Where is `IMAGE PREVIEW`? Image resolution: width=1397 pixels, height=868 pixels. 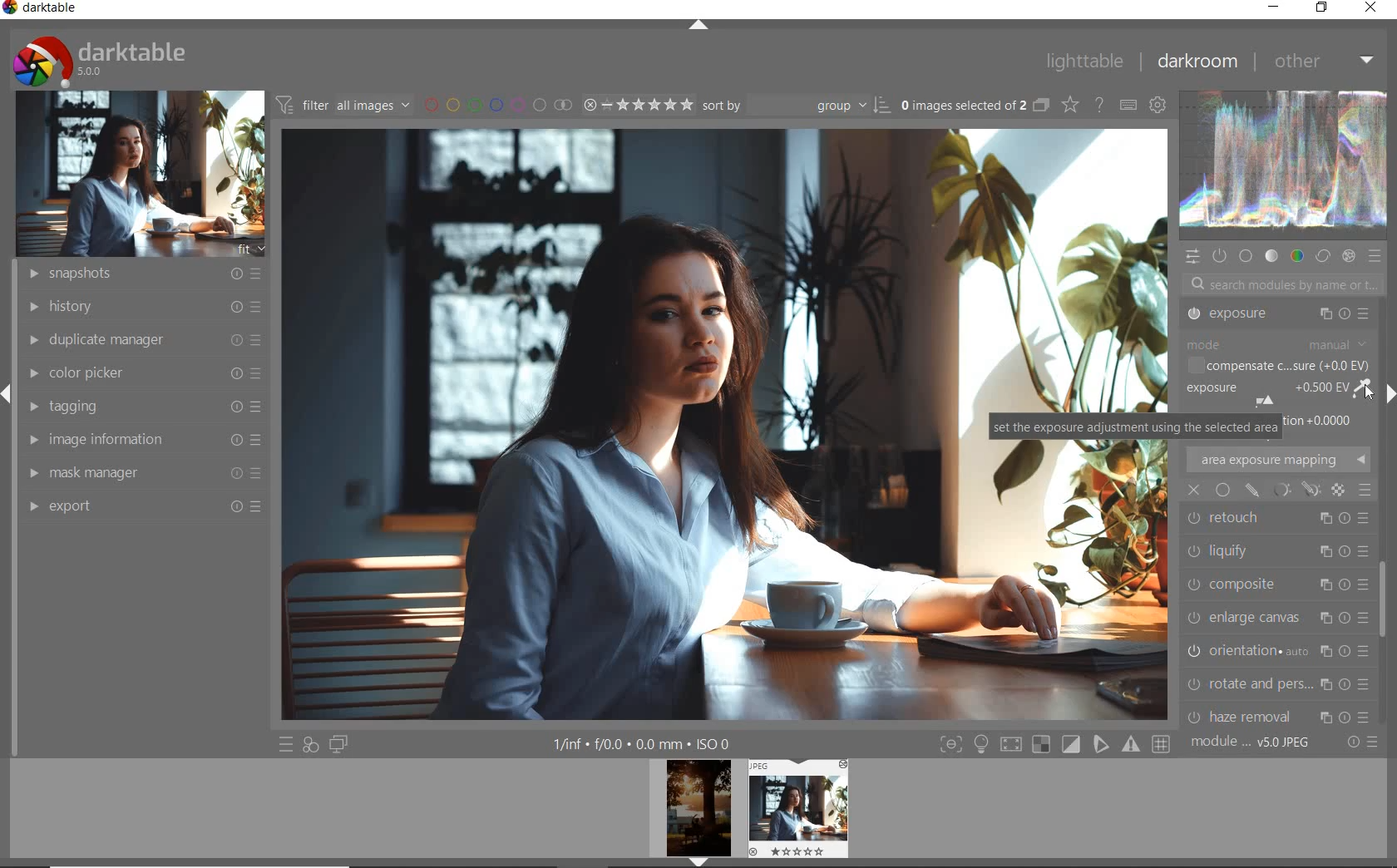 IMAGE PREVIEW is located at coordinates (797, 808).